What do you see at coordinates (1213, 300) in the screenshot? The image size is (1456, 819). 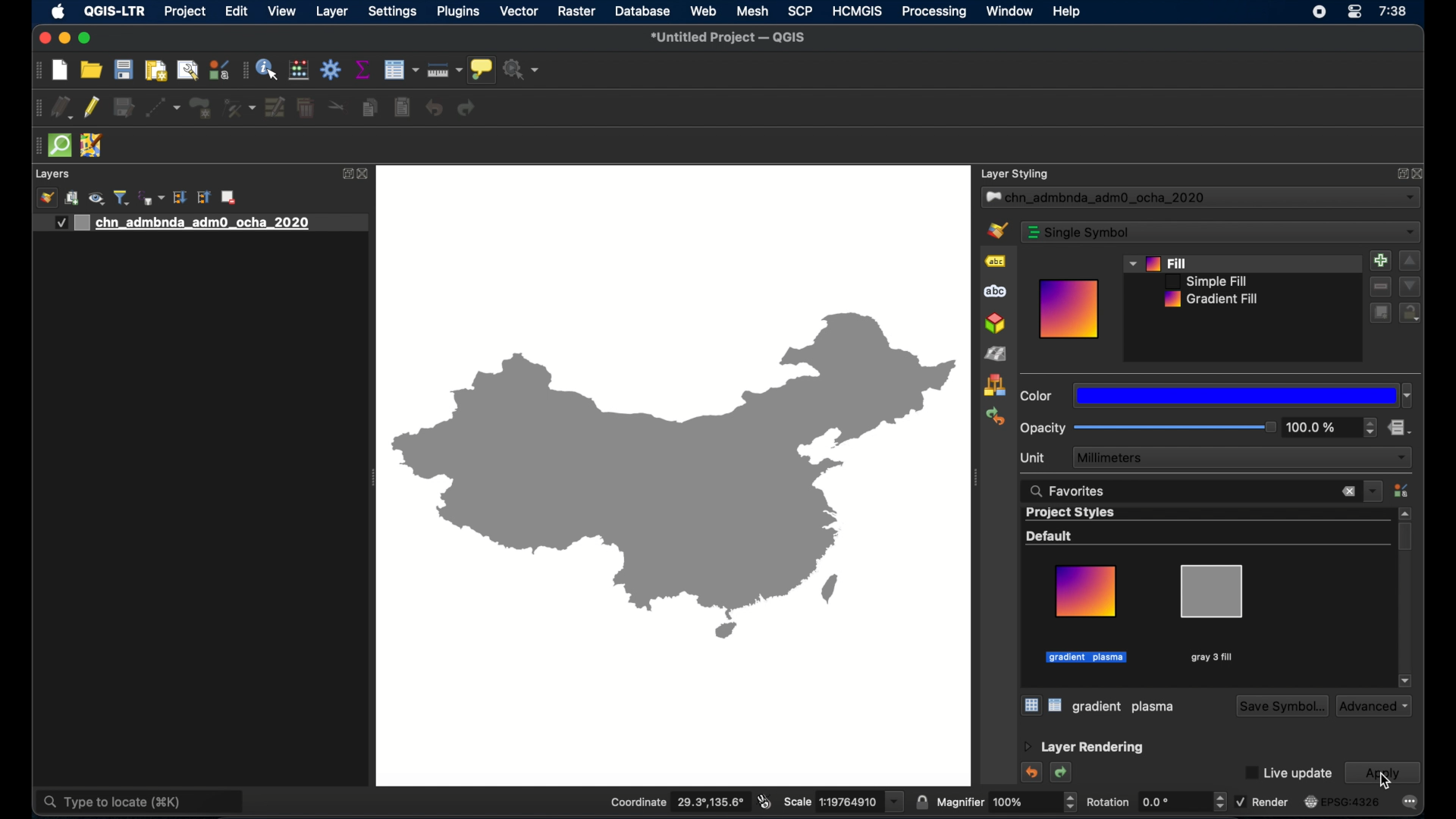 I see `gradient fill` at bounding box center [1213, 300].